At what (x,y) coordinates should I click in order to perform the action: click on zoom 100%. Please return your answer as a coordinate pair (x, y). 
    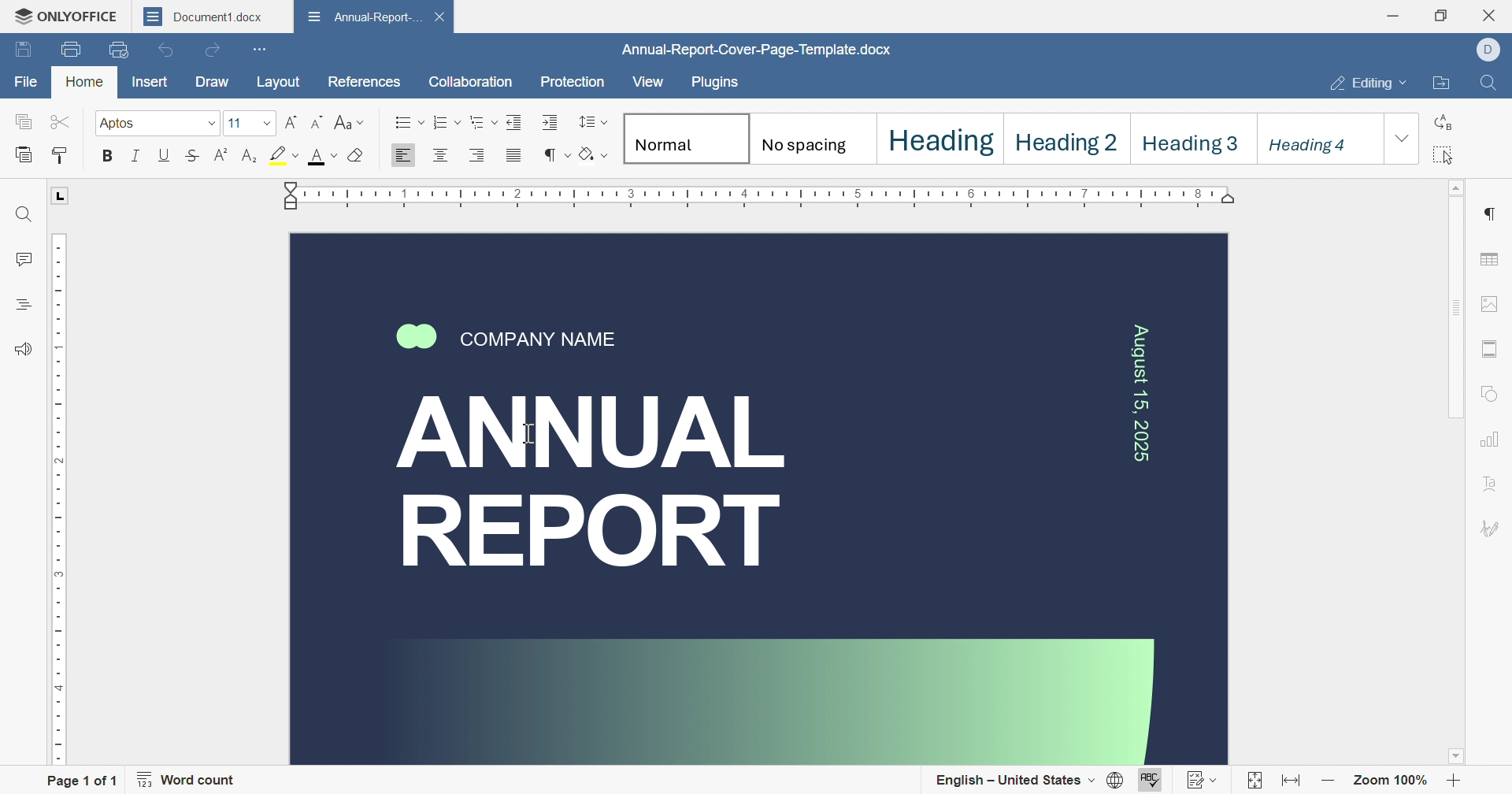
    Looking at the image, I should click on (1389, 782).